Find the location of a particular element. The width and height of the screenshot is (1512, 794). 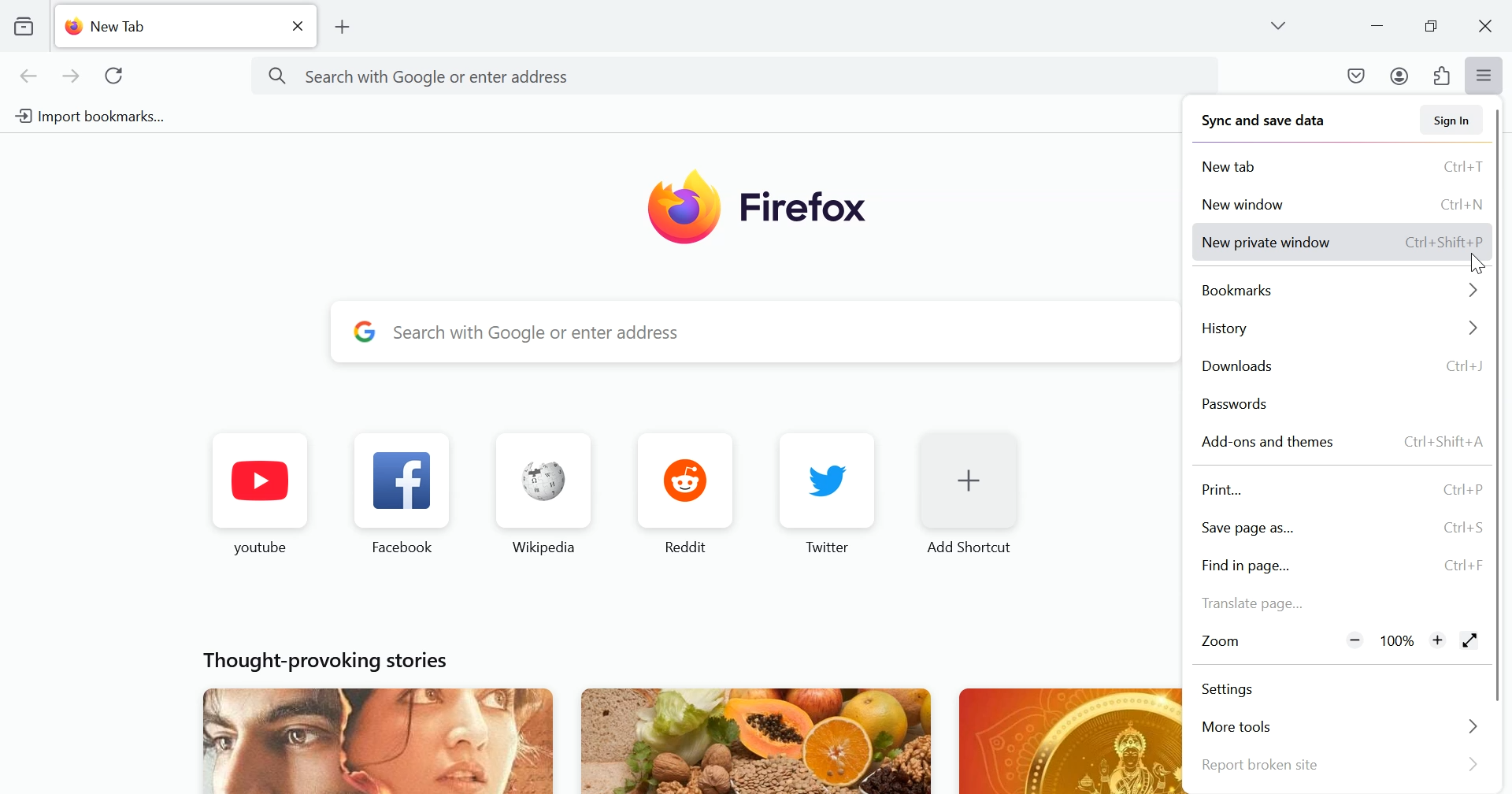

Search with Google or enter address is located at coordinates (741, 76).